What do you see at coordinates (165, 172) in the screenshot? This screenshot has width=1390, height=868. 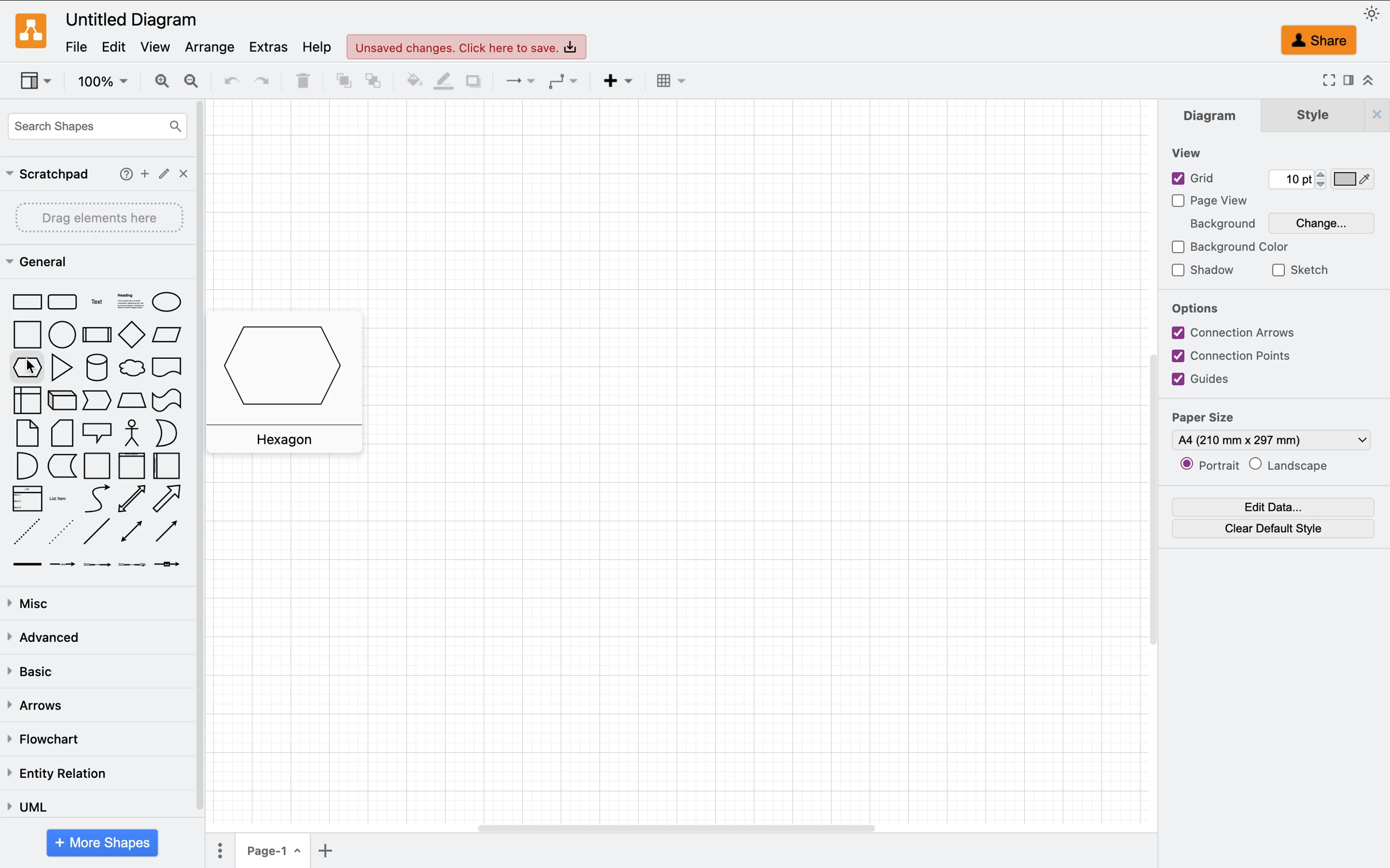 I see `edit` at bounding box center [165, 172].